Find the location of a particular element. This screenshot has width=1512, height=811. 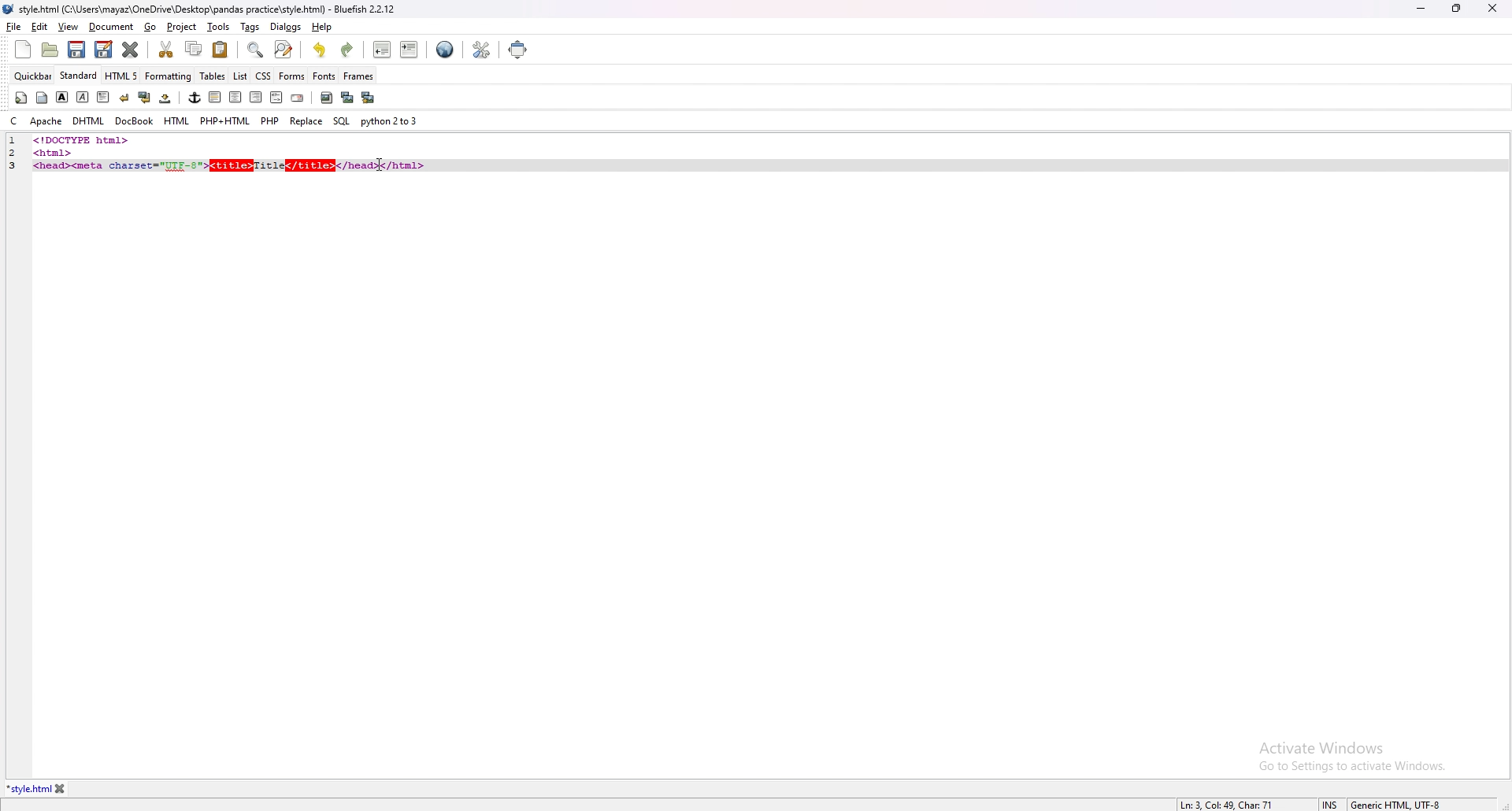

bold is located at coordinates (62, 97).